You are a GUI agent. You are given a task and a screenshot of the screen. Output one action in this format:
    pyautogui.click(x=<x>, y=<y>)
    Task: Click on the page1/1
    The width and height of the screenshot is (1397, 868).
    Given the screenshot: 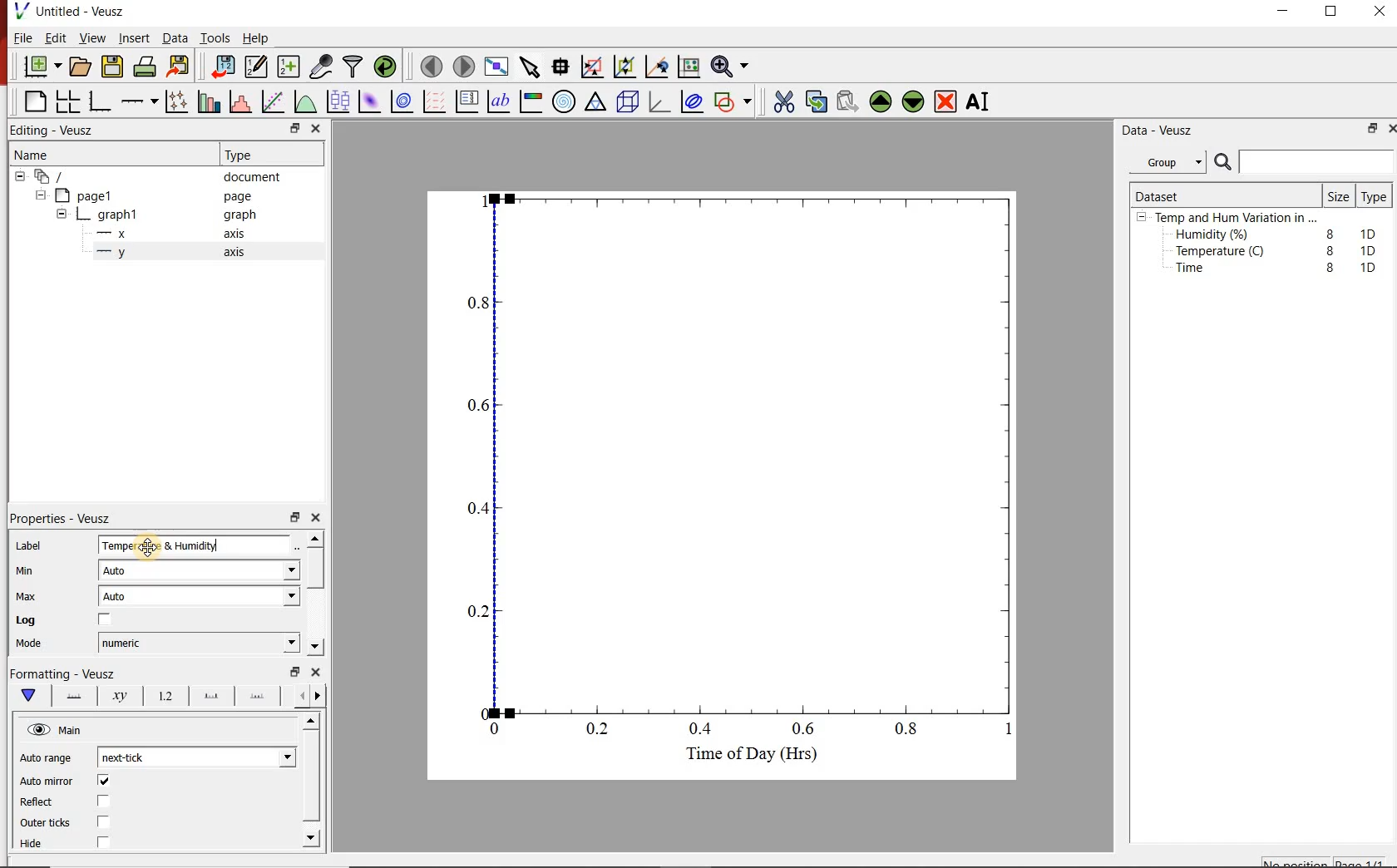 What is the action you would take?
    pyautogui.click(x=1365, y=861)
    